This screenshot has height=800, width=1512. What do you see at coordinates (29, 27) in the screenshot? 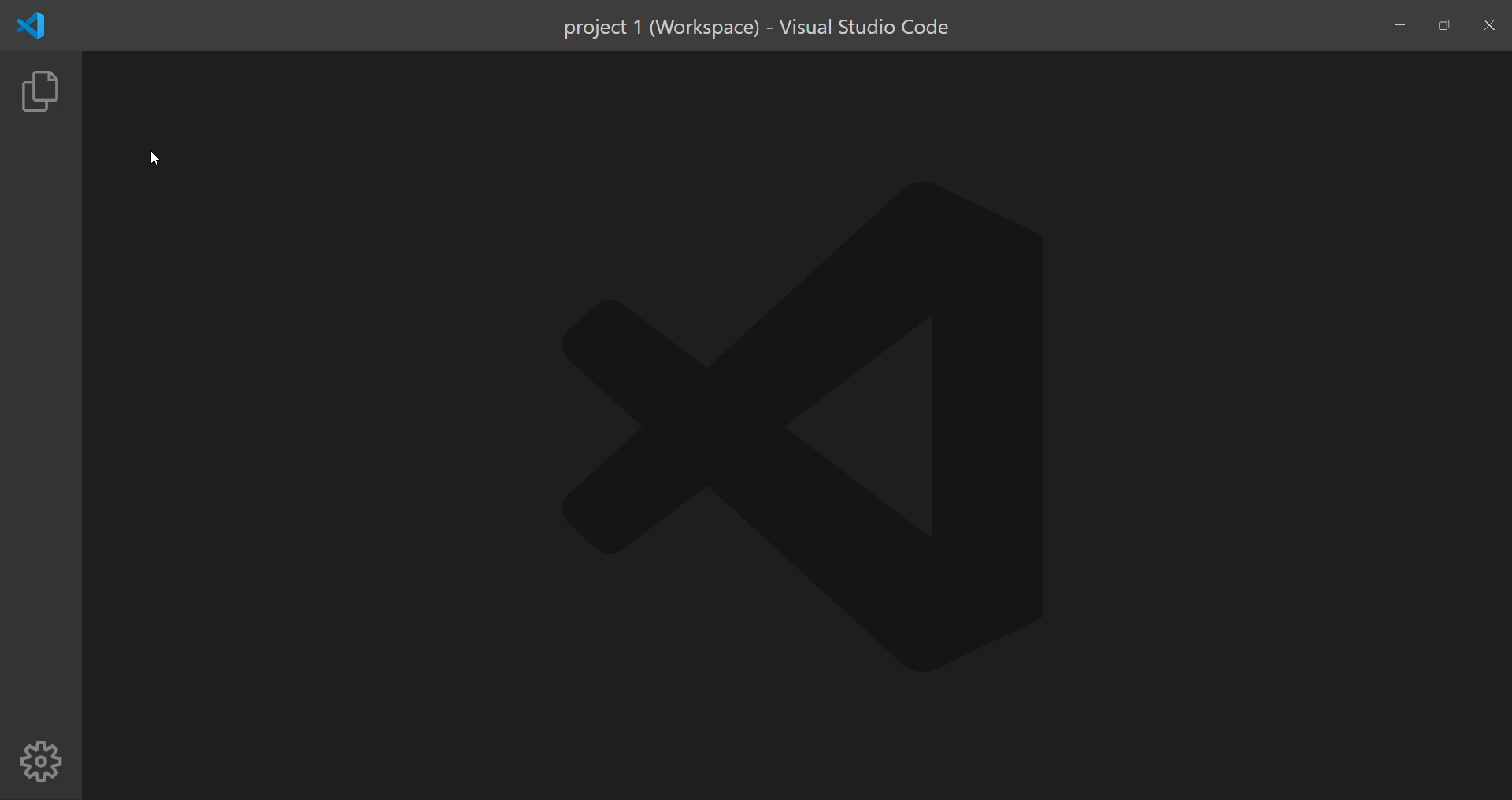
I see `logo` at bounding box center [29, 27].